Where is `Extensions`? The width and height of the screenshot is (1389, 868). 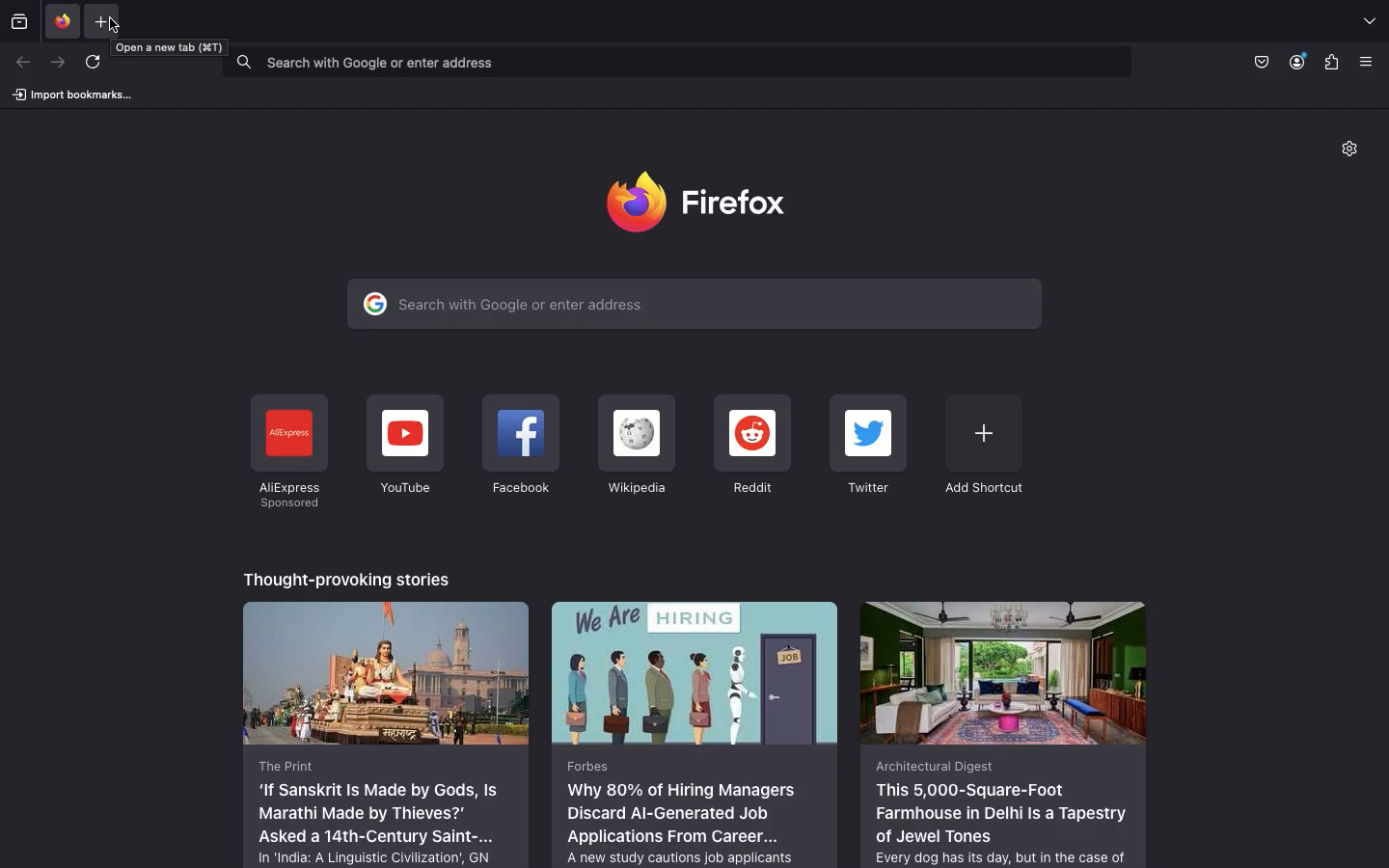 Extensions is located at coordinates (1331, 64).